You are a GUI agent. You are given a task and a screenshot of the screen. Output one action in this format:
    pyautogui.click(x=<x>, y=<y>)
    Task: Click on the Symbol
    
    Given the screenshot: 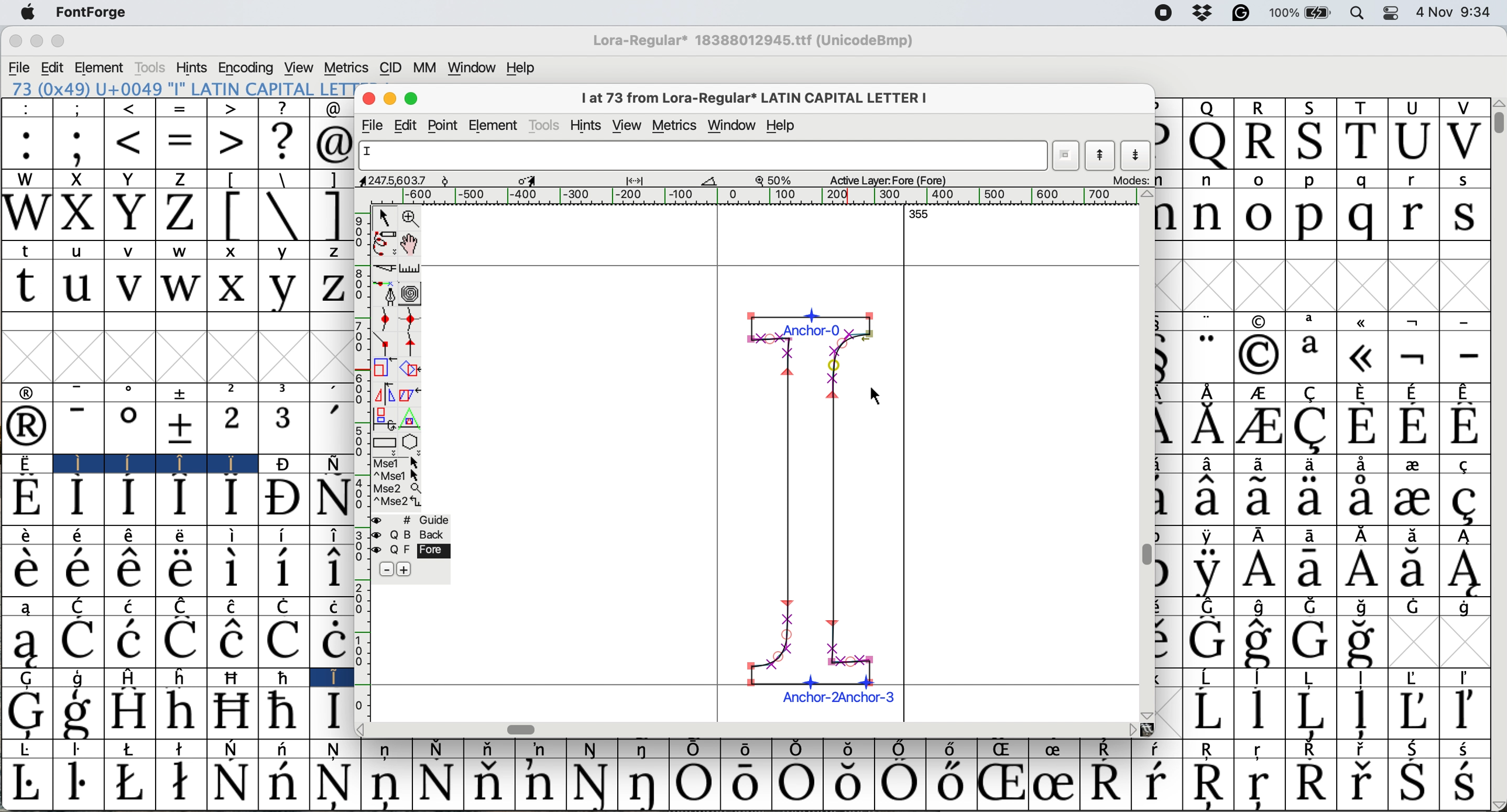 What is the action you would take?
    pyautogui.click(x=742, y=785)
    